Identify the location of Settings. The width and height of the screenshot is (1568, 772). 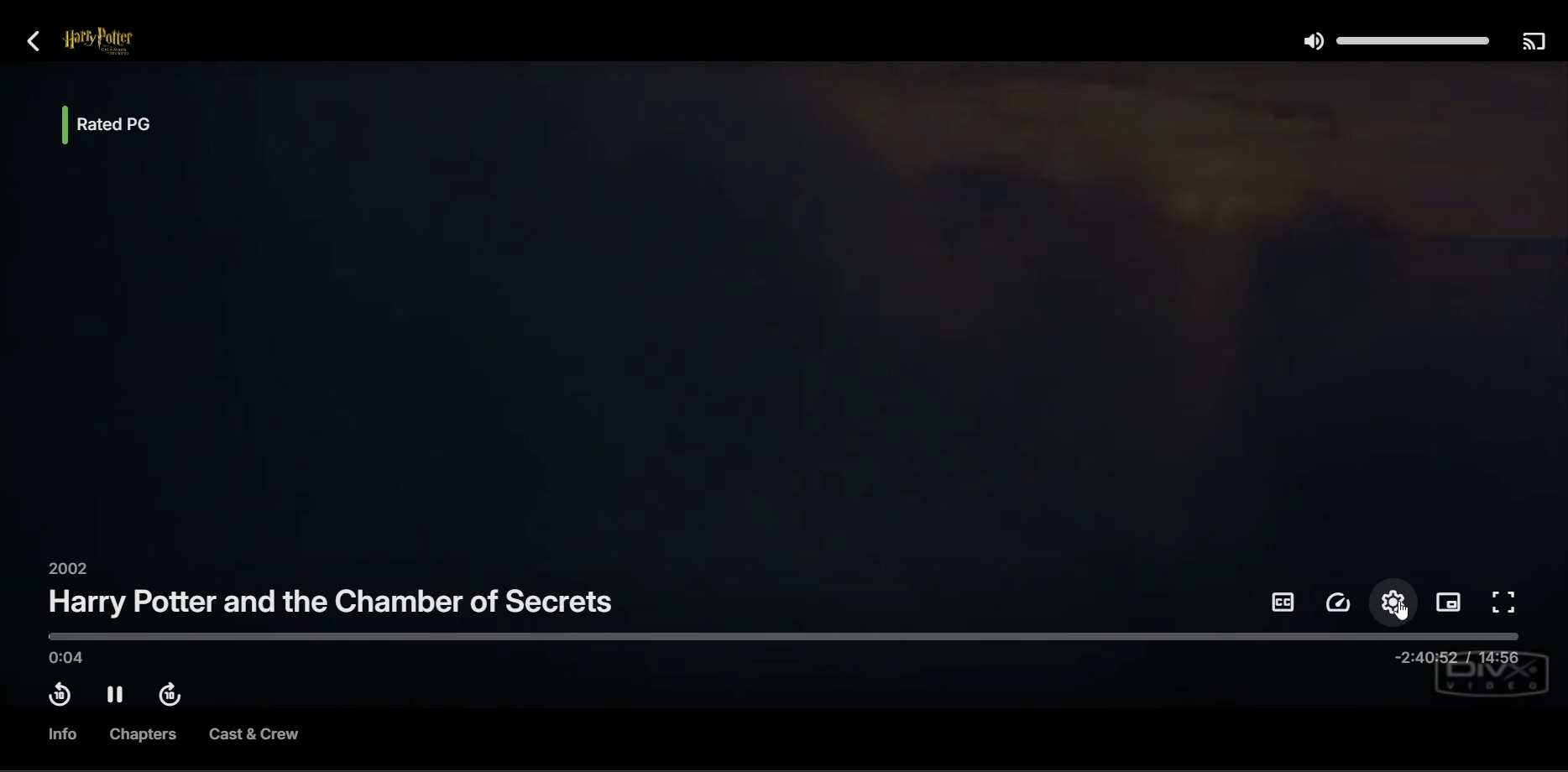
(1396, 602).